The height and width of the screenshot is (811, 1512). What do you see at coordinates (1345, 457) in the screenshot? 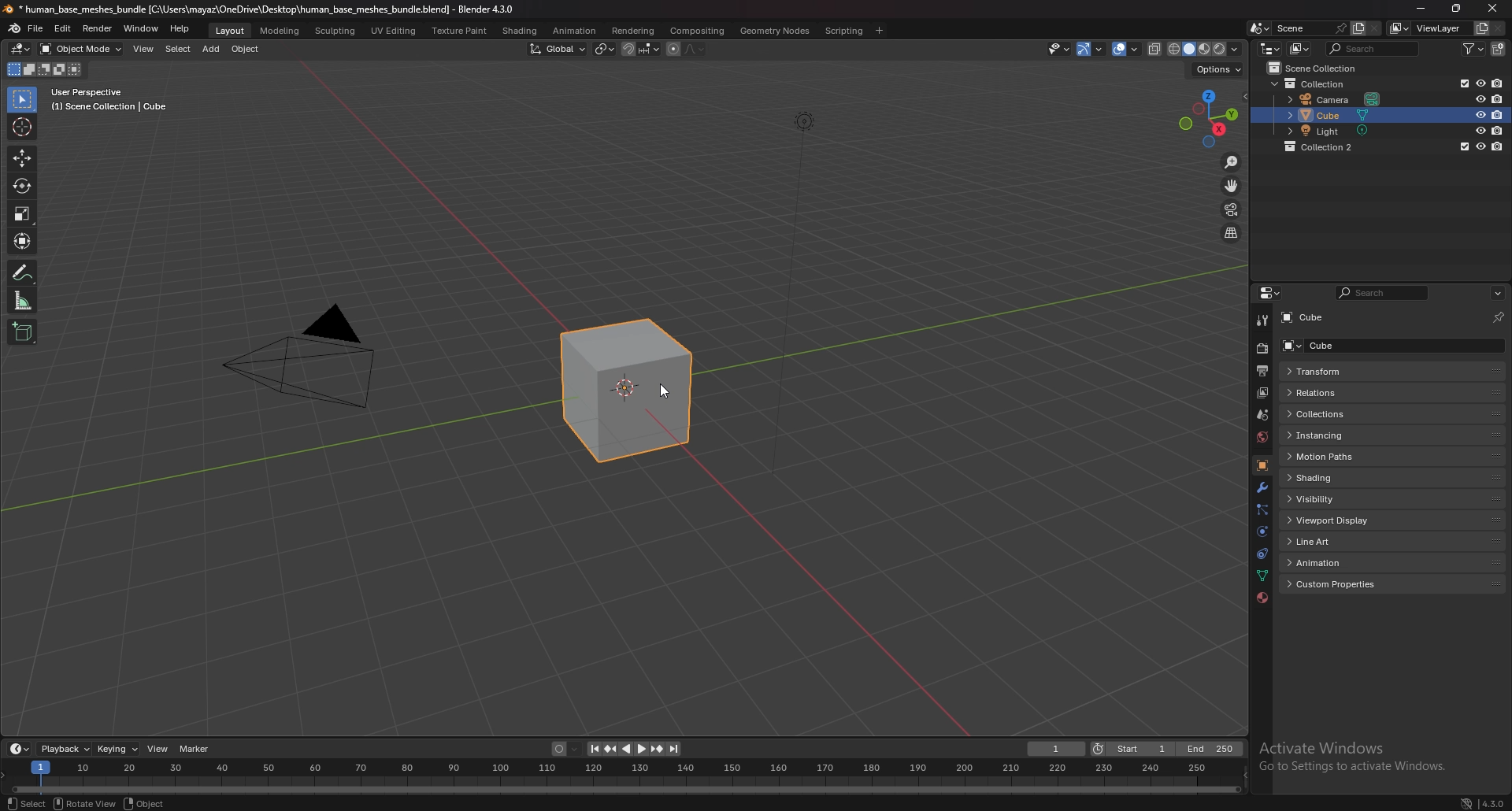
I see `motion paths` at bounding box center [1345, 457].